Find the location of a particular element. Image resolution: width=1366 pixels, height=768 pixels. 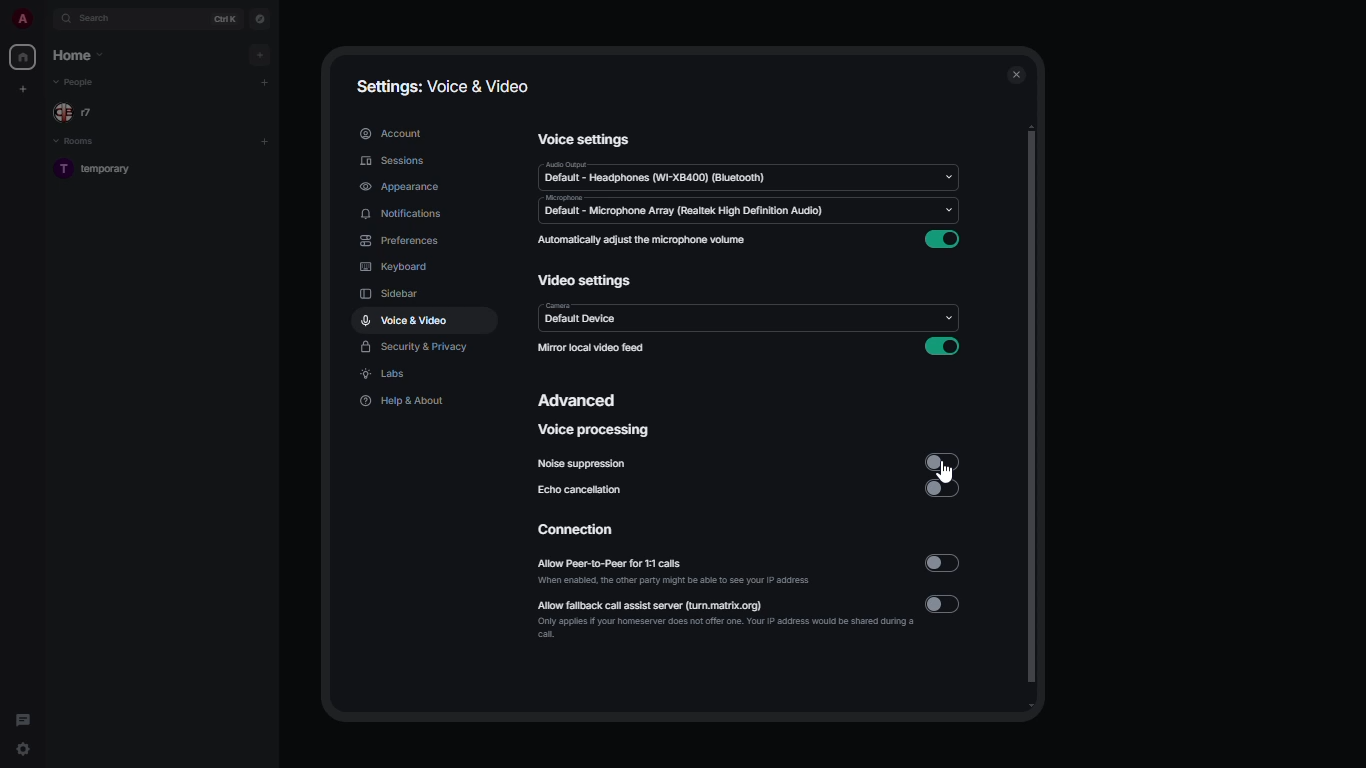

ctrl K is located at coordinates (226, 18).